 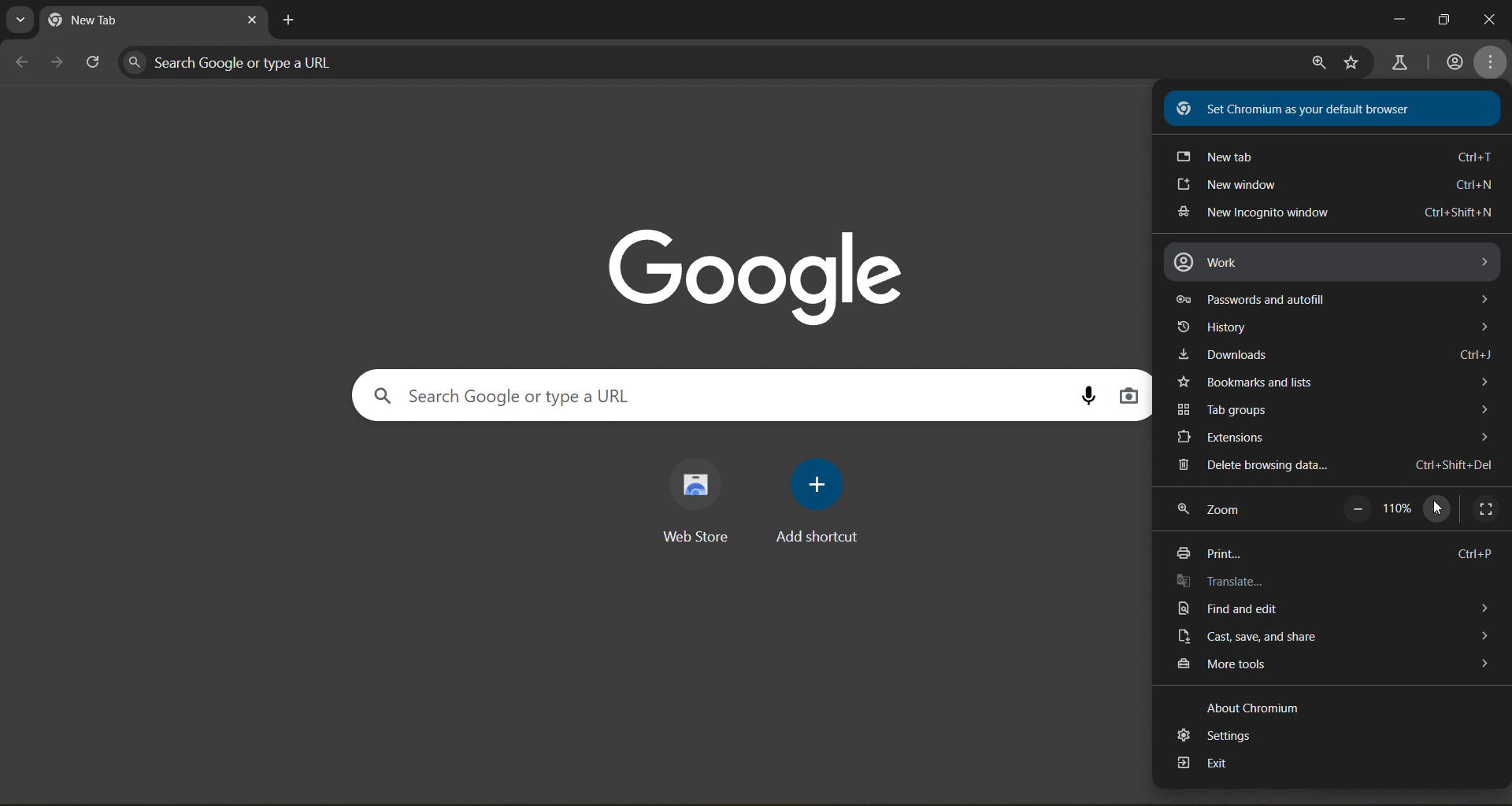 I want to click on view full screen, so click(x=1486, y=510).